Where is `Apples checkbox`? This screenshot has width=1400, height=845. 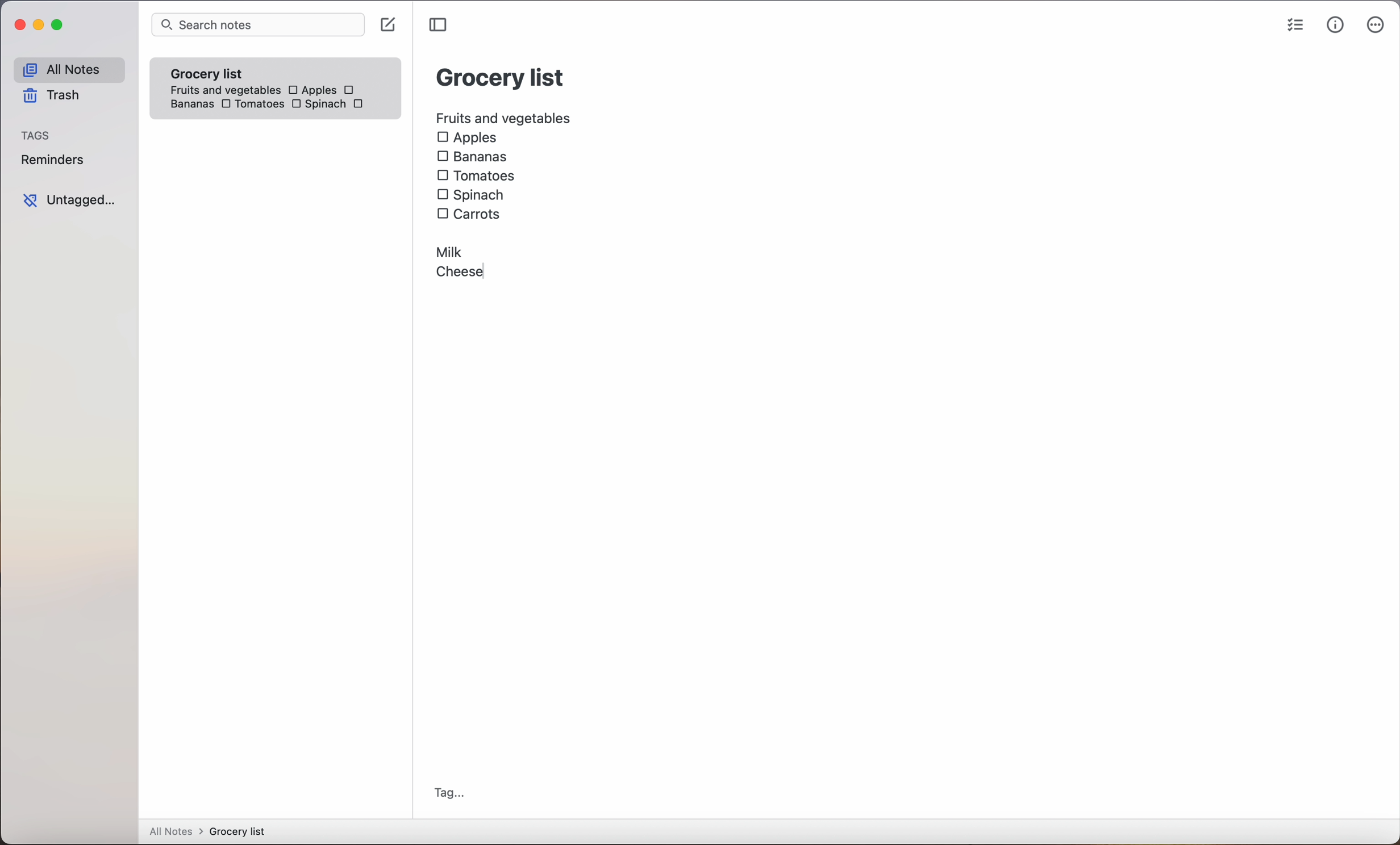
Apples checkbox is located at coordinates (467, 138).